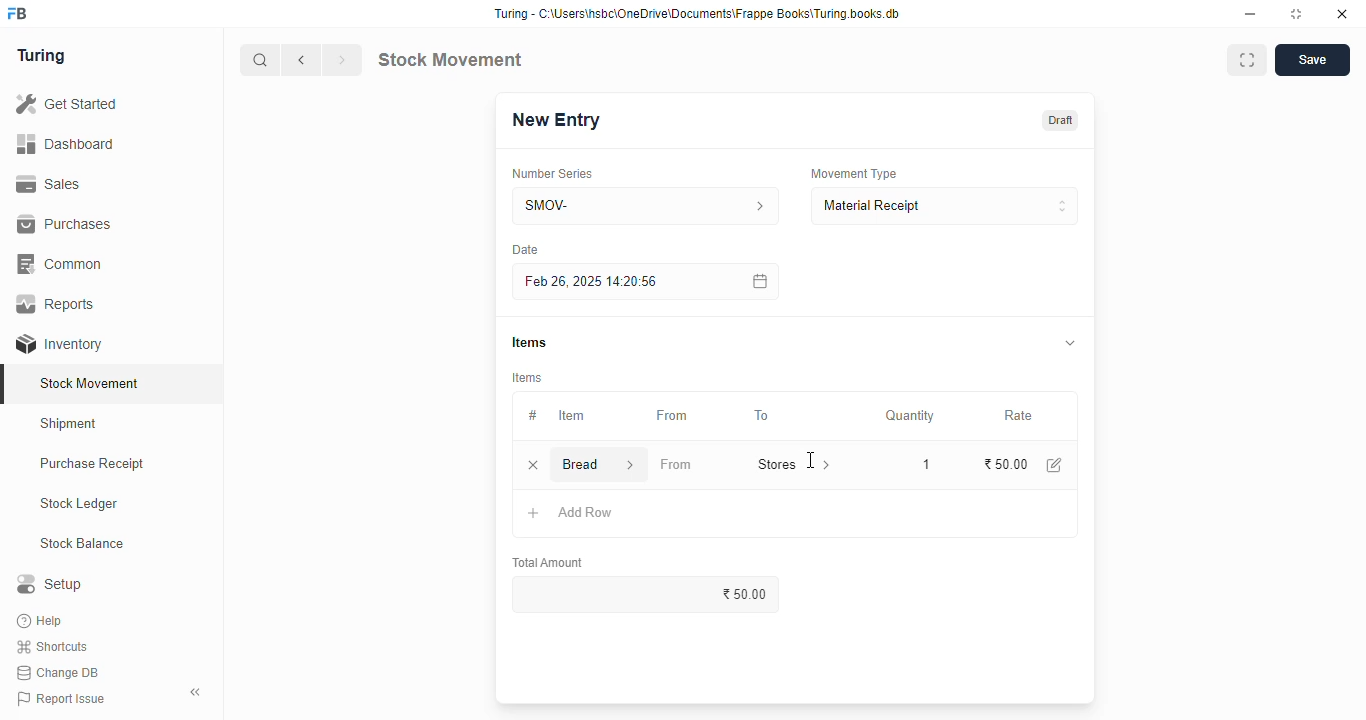 Image resolution: width=1366 pixels, height=720 pixels. What do you see at coordinates (58, 673) in the screenshot?
I see `change DB` at bounding box center [58, 673].